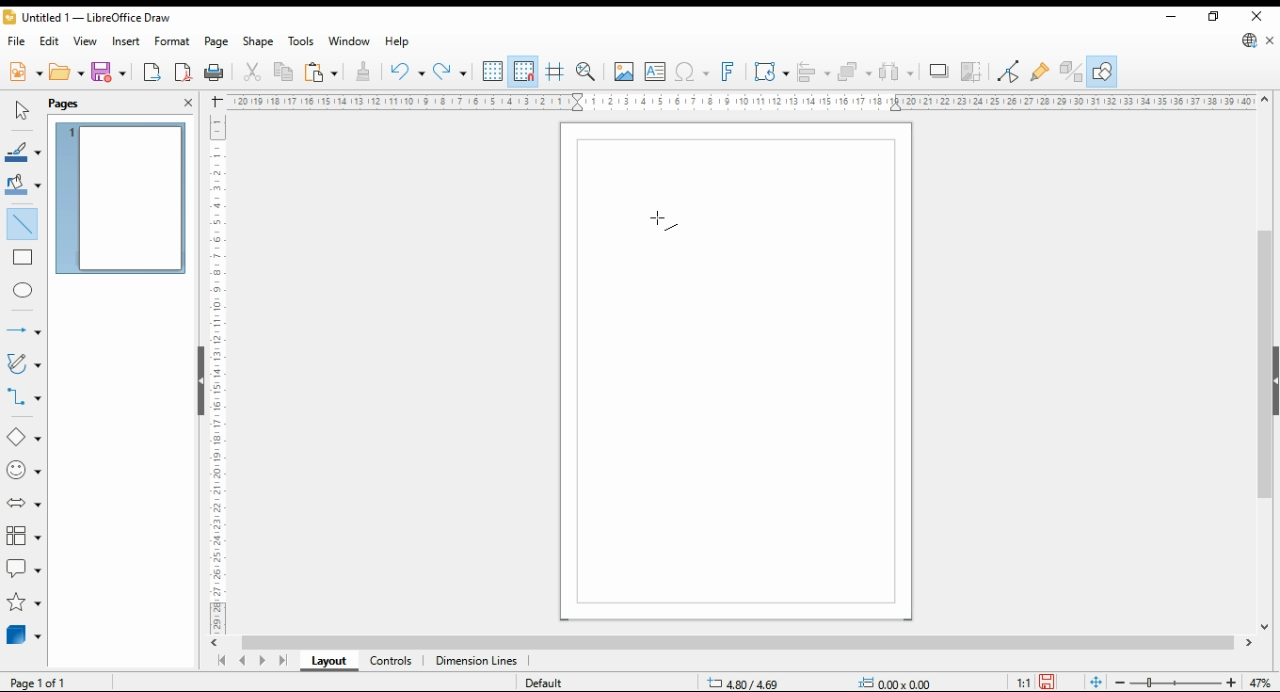  What do you see at coordinates (302, 42) in the screenshot?
I see `tools` at bounding box center [302, 42].